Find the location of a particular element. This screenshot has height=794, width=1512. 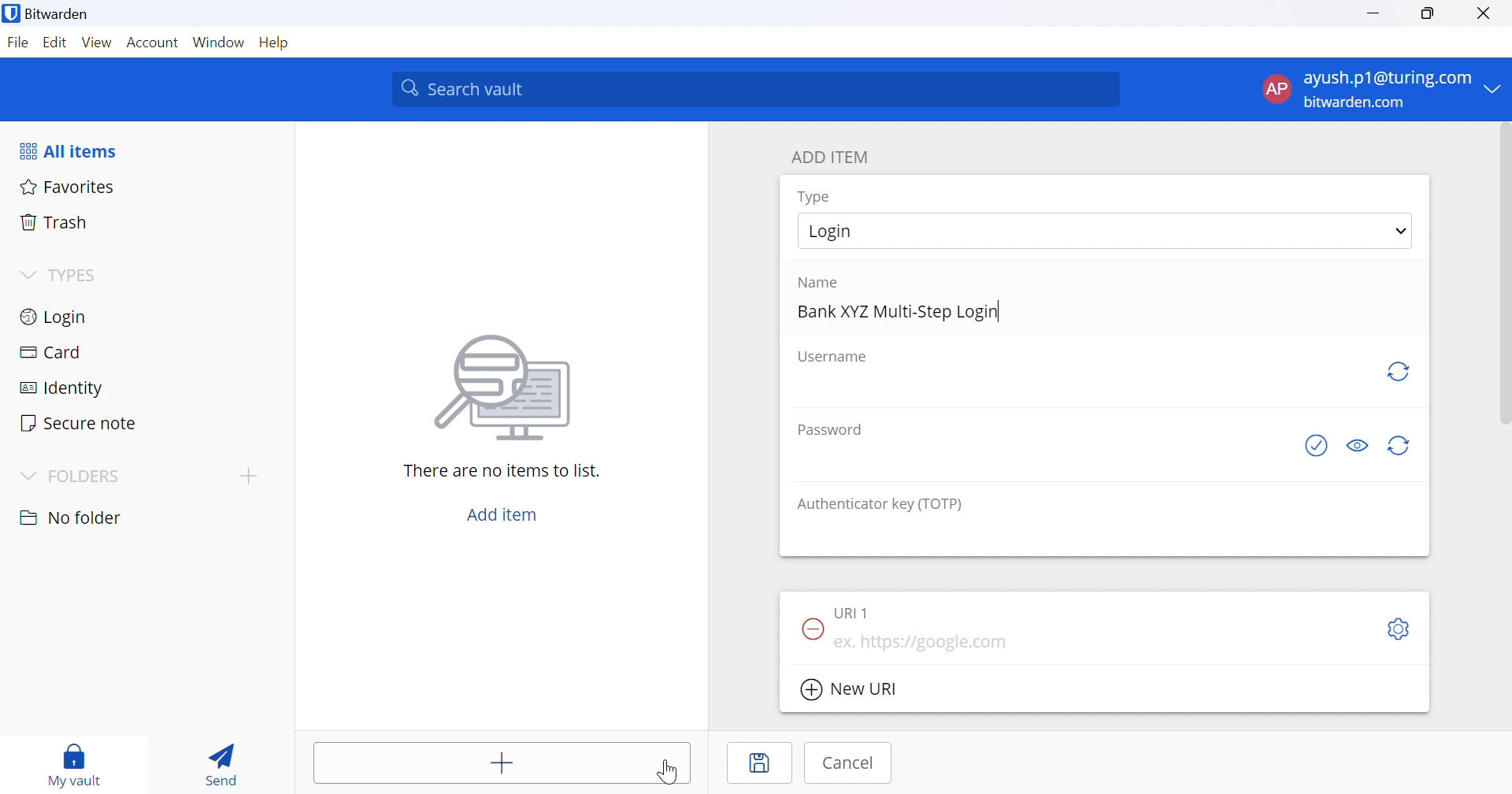

ADD ITEM is located at coordinates (834, 155).